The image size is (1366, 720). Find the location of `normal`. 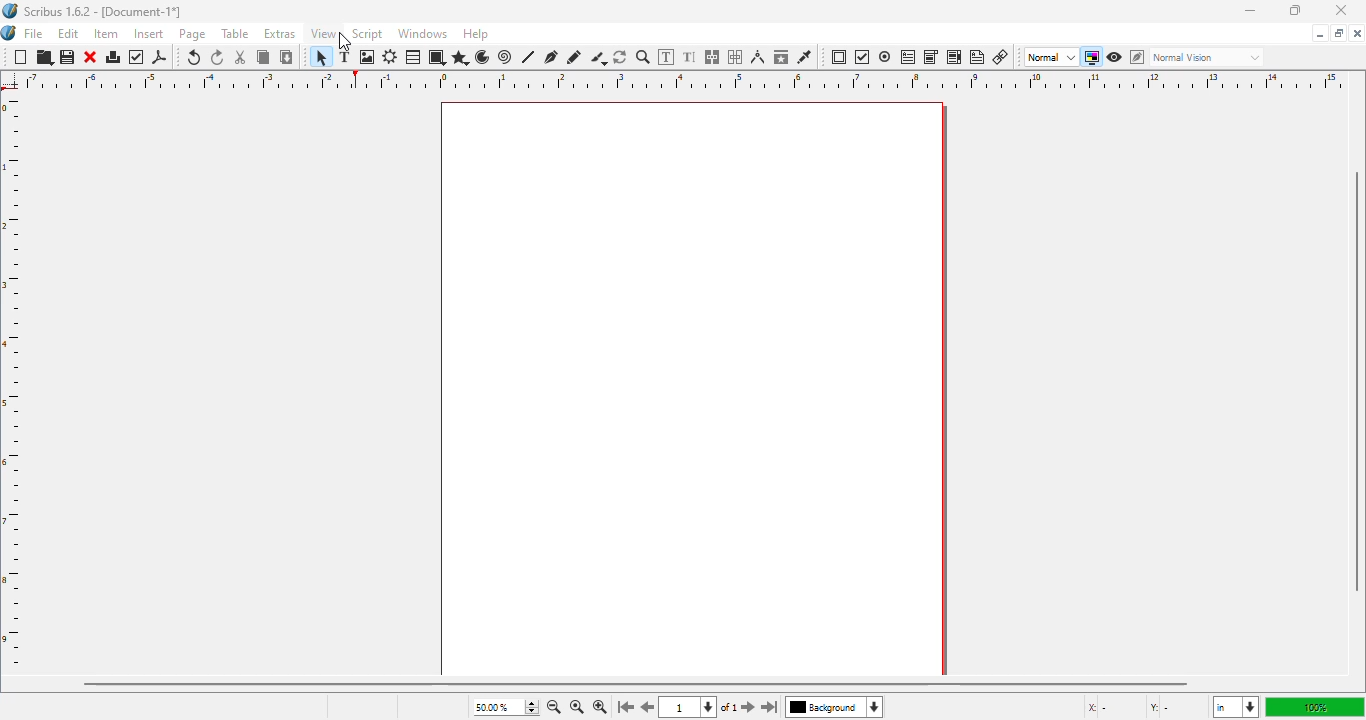

normal is located at coordinates (1050, 57).